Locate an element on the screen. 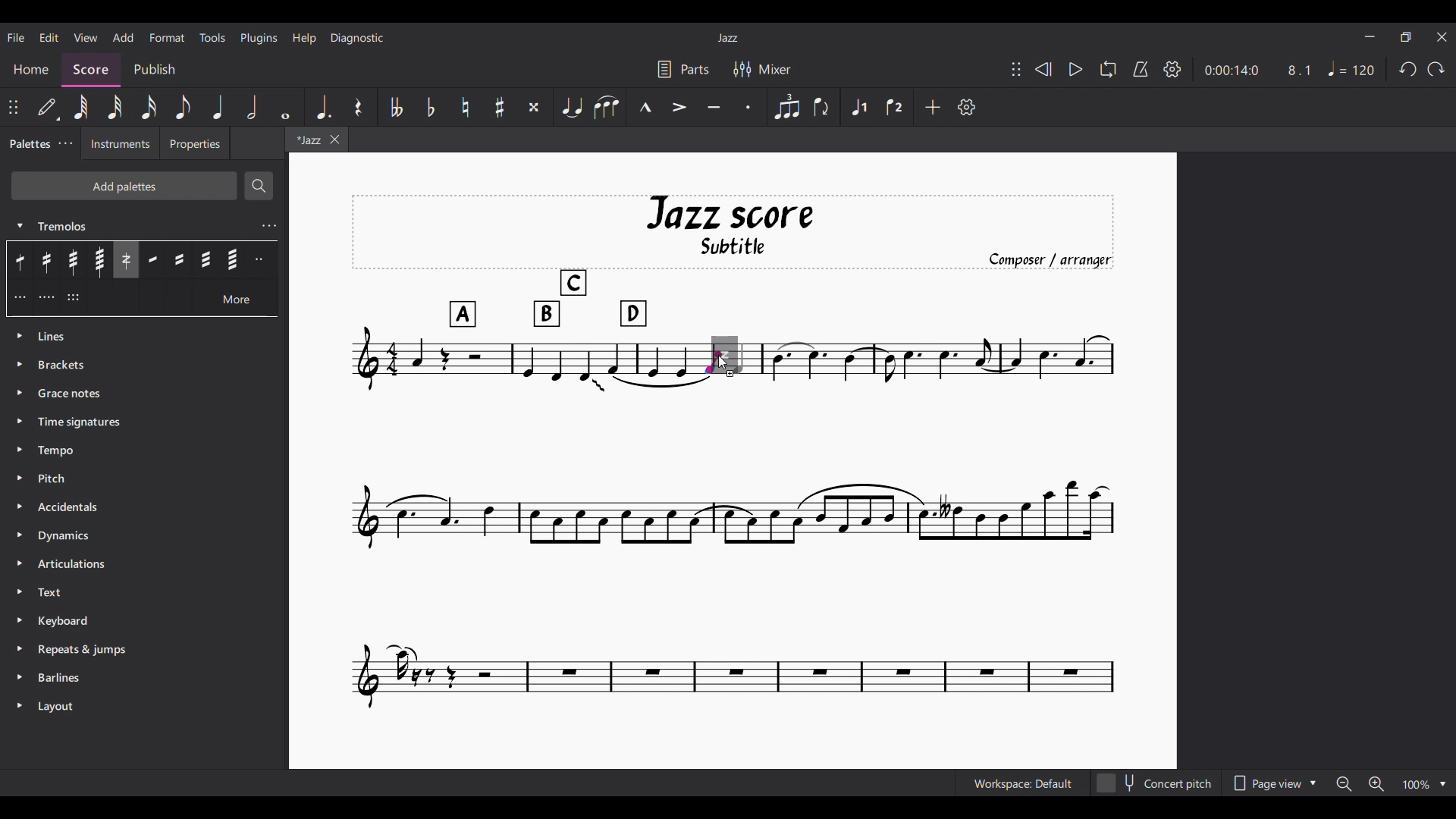 The image size is (1456, 819). 64th between notes is located at coordinates (233, 259).